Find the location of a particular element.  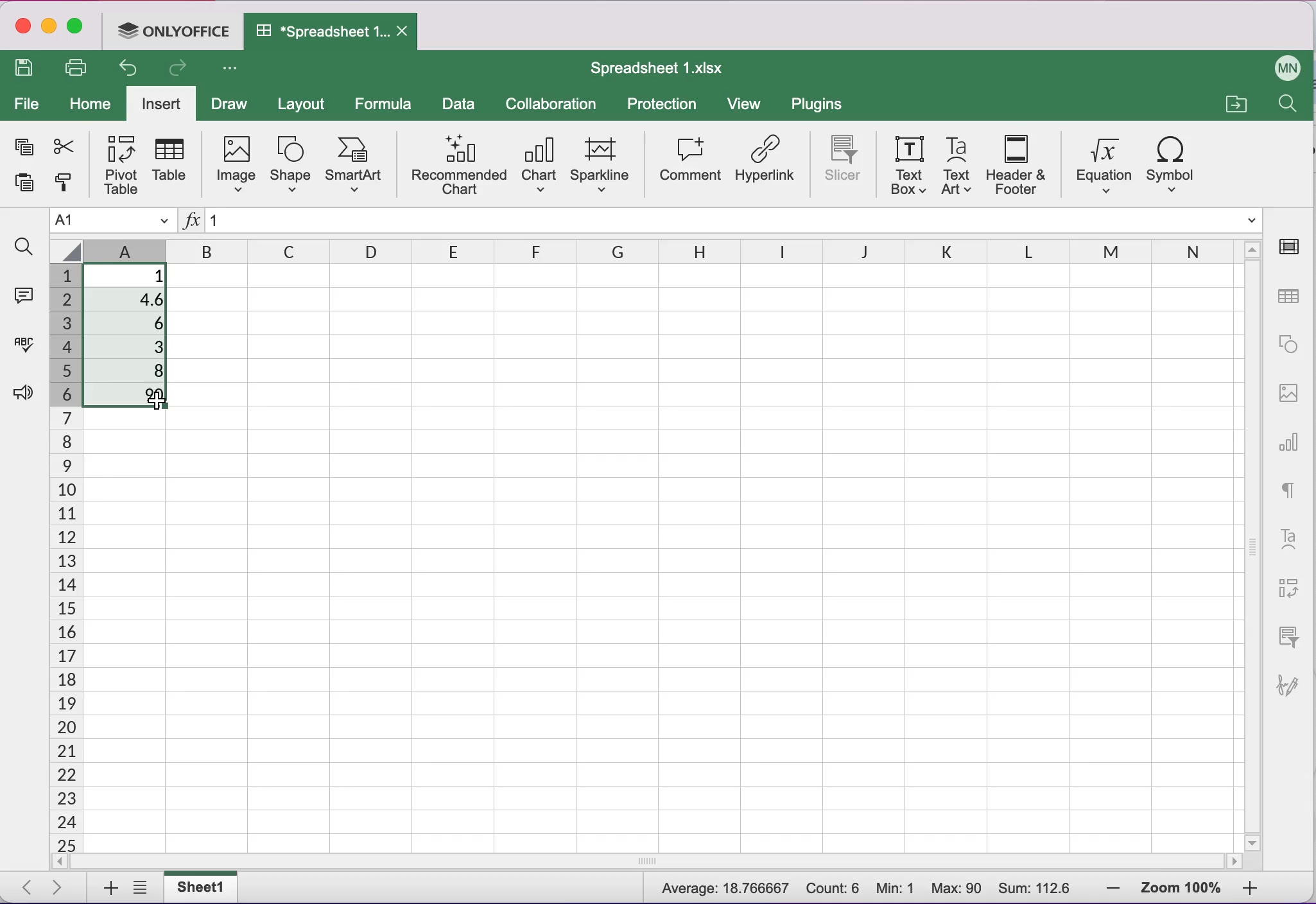

text is located at coordinates (1292, 492).